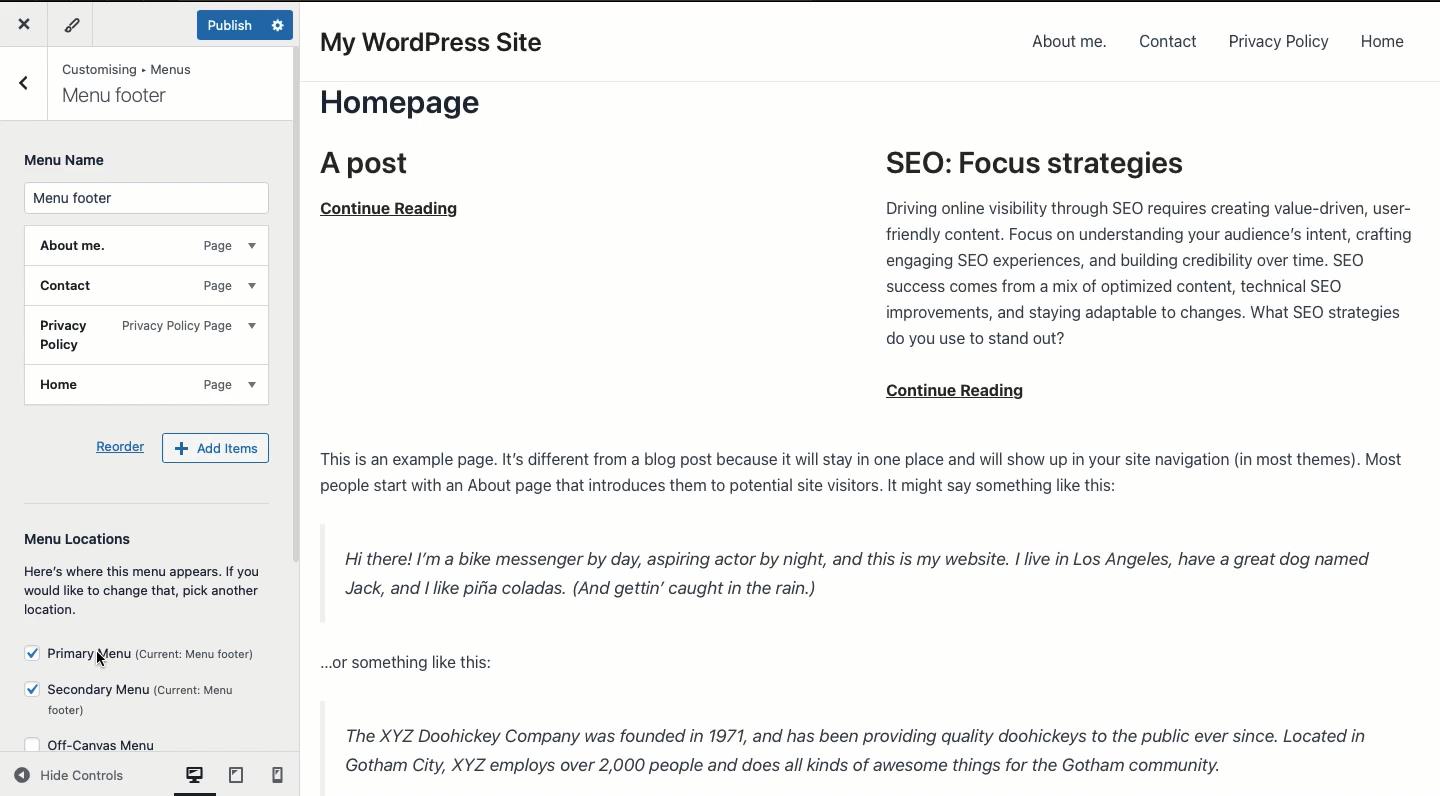 The image size is (1440, 796). Describe the element at coordinates (146, 247) in the screenshot. I see `About me` at that location.